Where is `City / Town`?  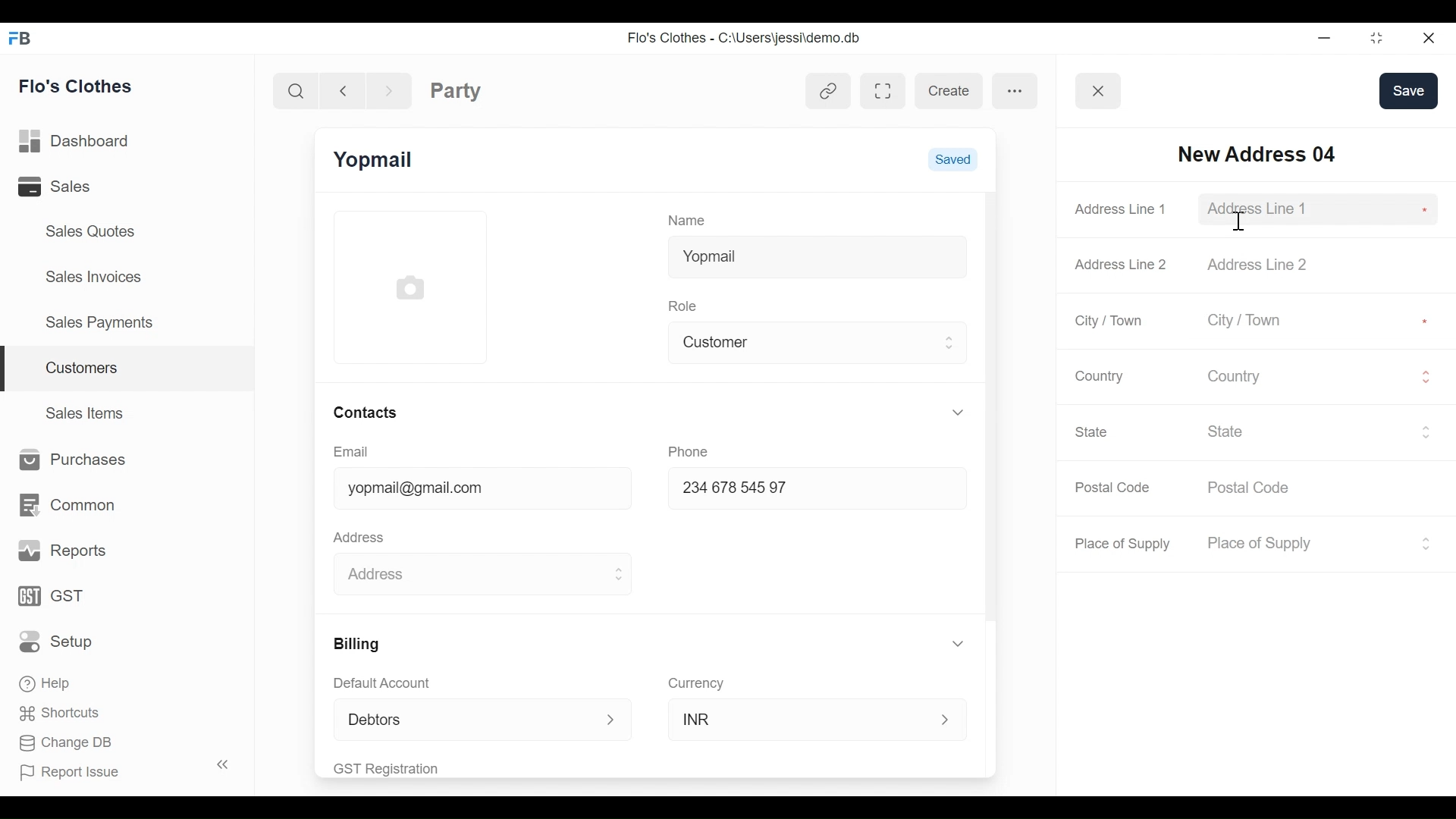
City / Town is located at coordinates (1265, 322).